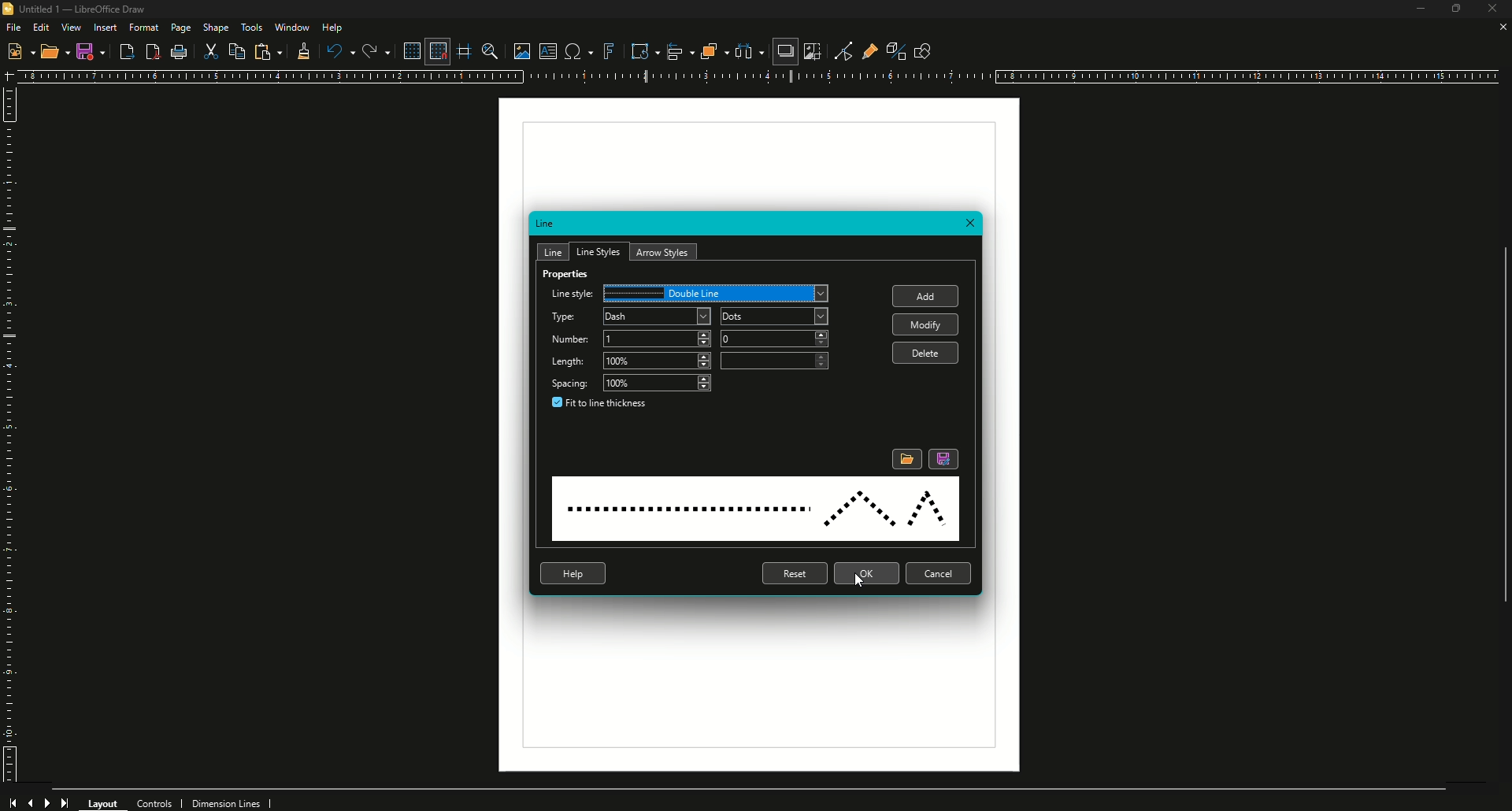 This screenshot has width=1512, height=811. Describe the element at coordinates (251, 28) in the screenshot. I see `Tools` at that location.